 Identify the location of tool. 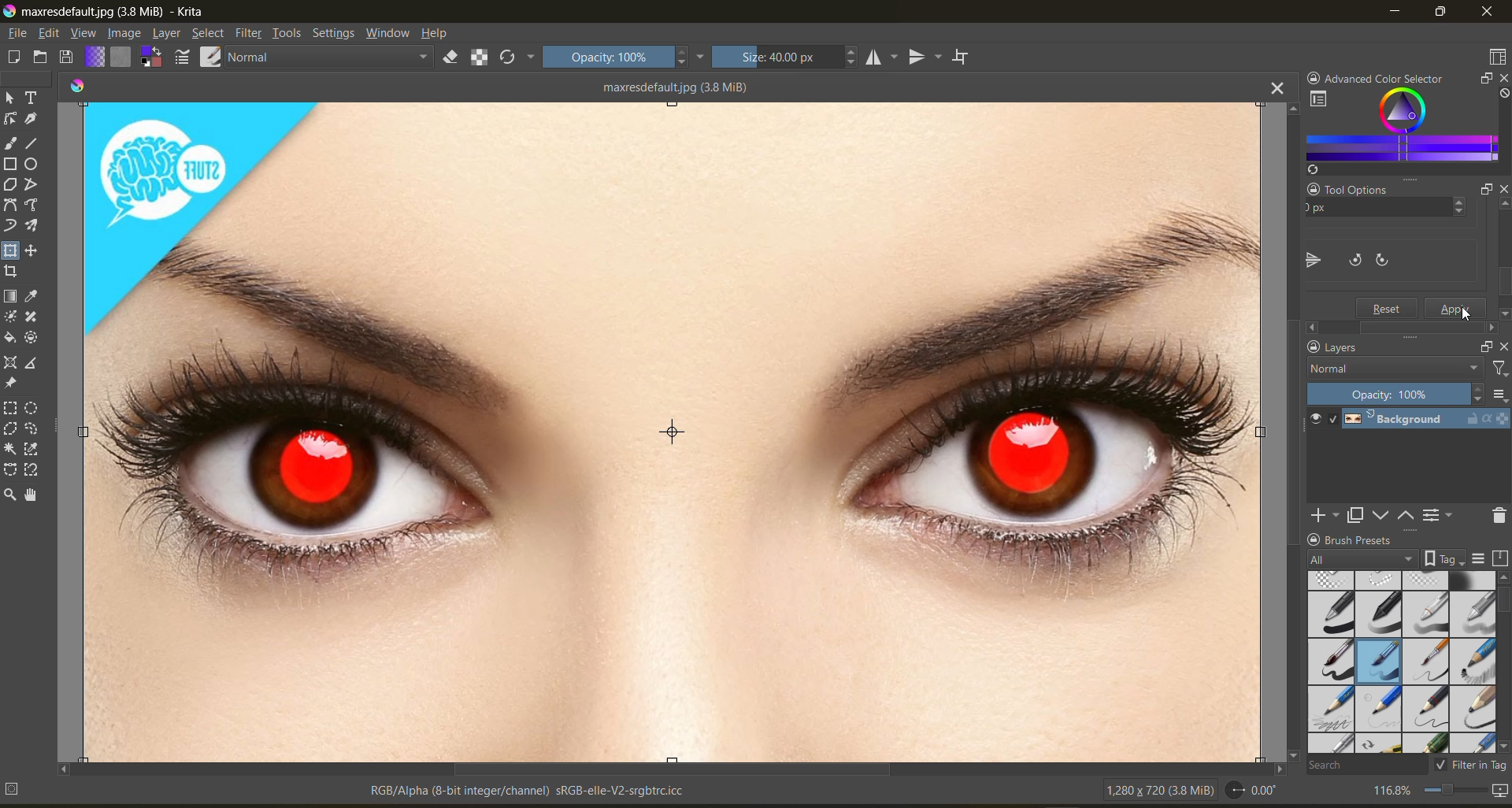
(10, 297).